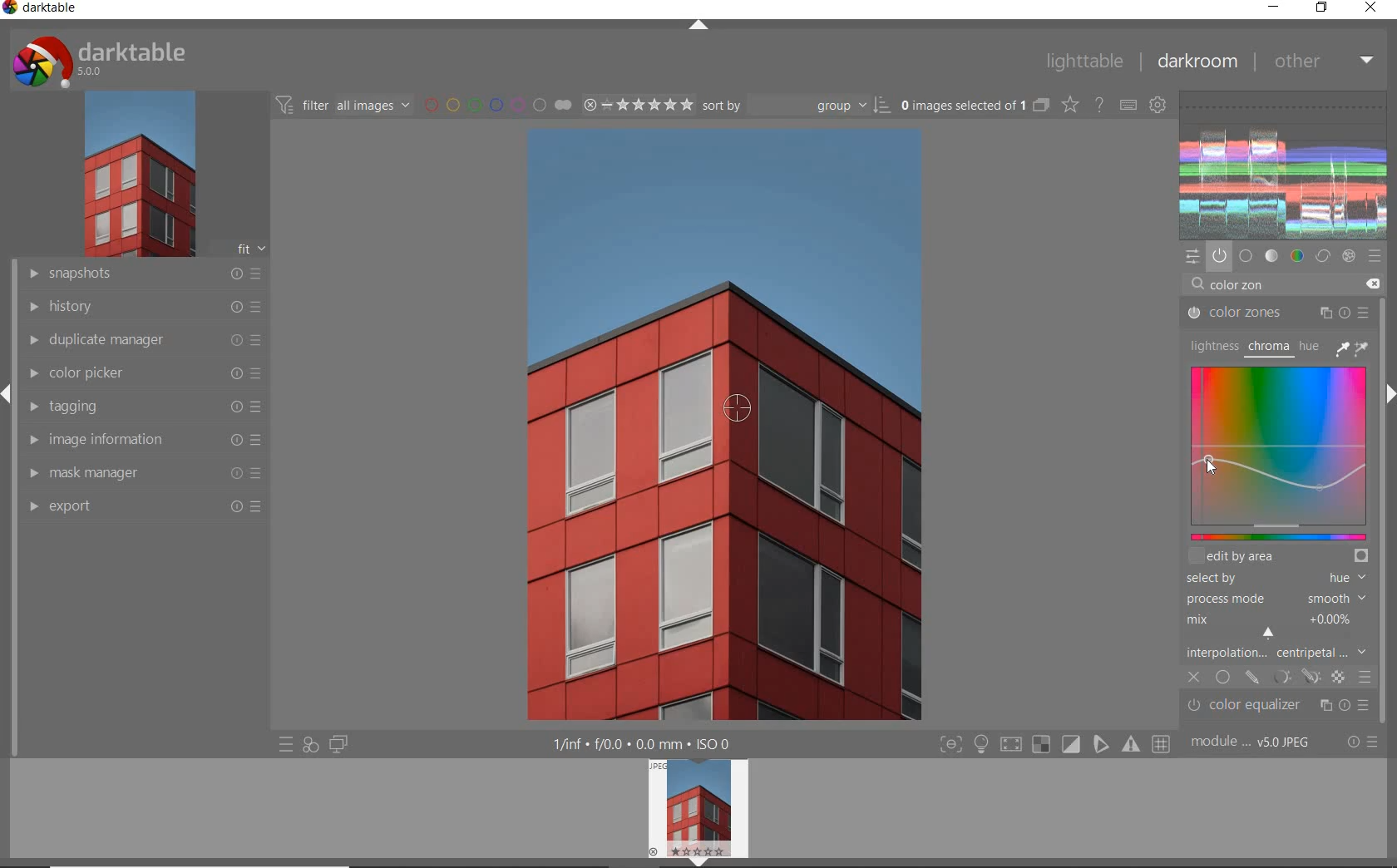 Image resolution: width=1397 pixels, height=868 pixels. Describe the element at coordinates (141, 276) in the screenshot. I see `snapshots` at that location.